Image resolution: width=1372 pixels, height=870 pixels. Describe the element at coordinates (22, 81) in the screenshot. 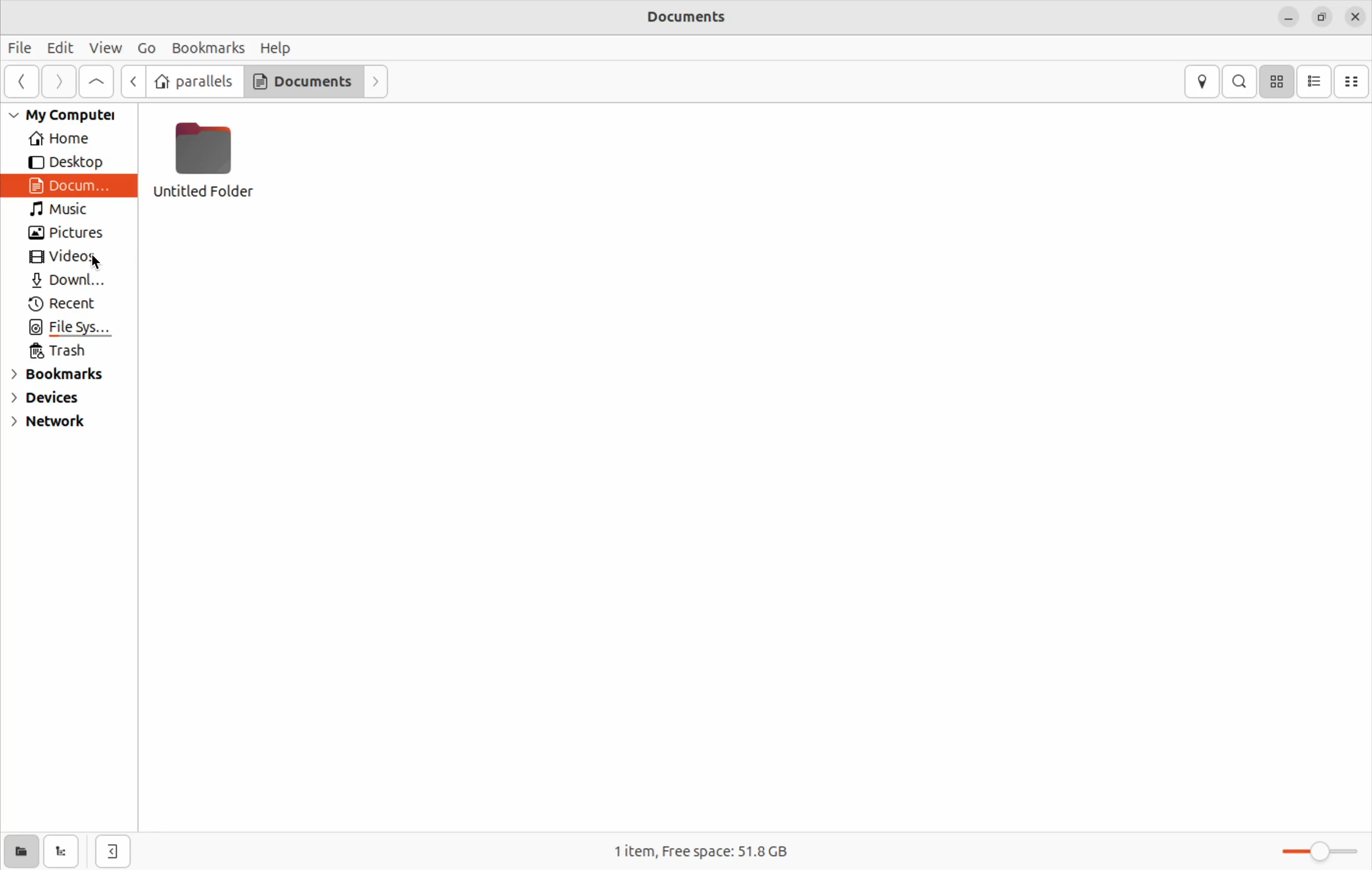

I see `Go previous` at that location.